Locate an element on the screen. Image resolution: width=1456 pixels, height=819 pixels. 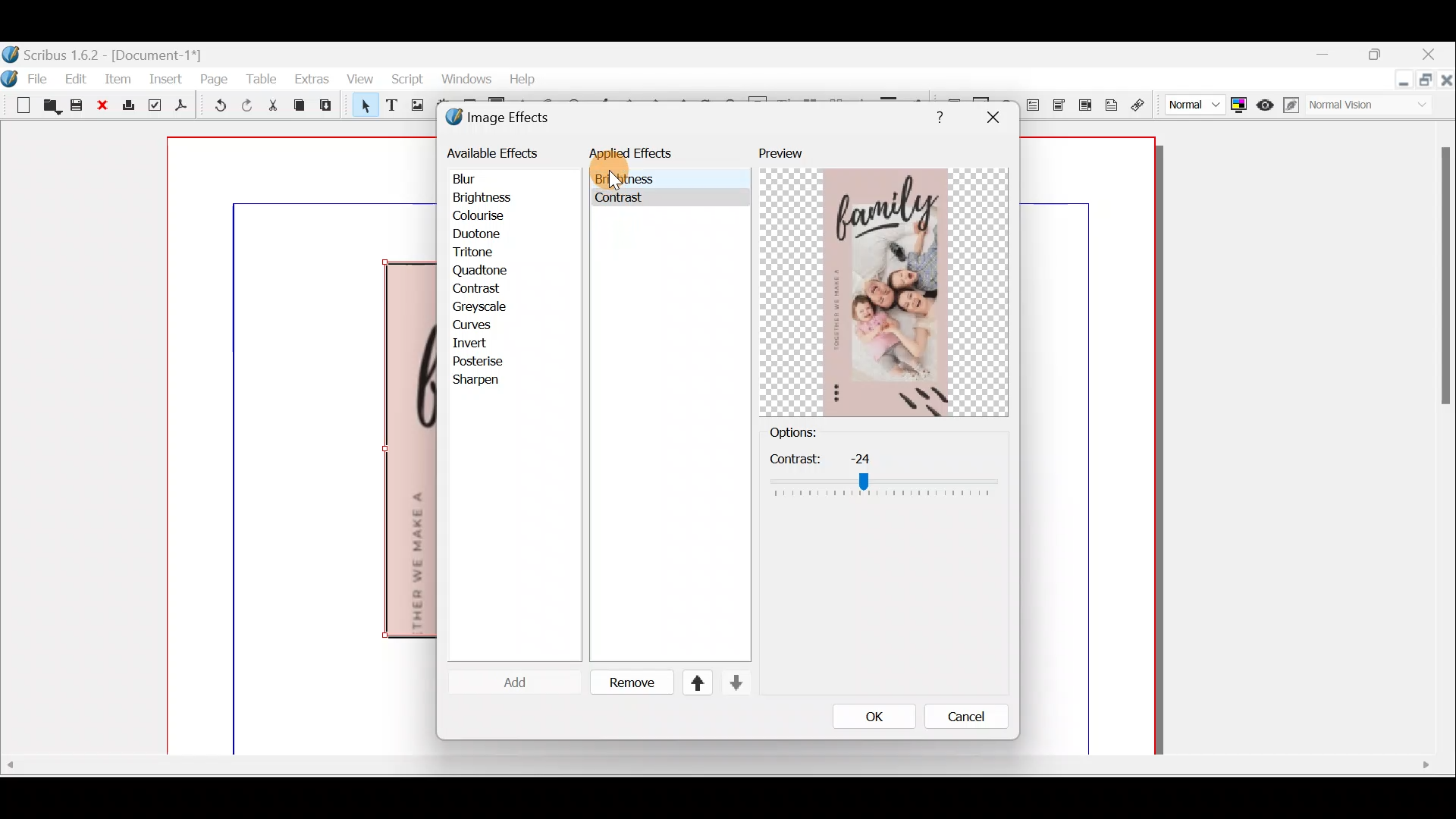
Select item is located at coordinates (362, 108).